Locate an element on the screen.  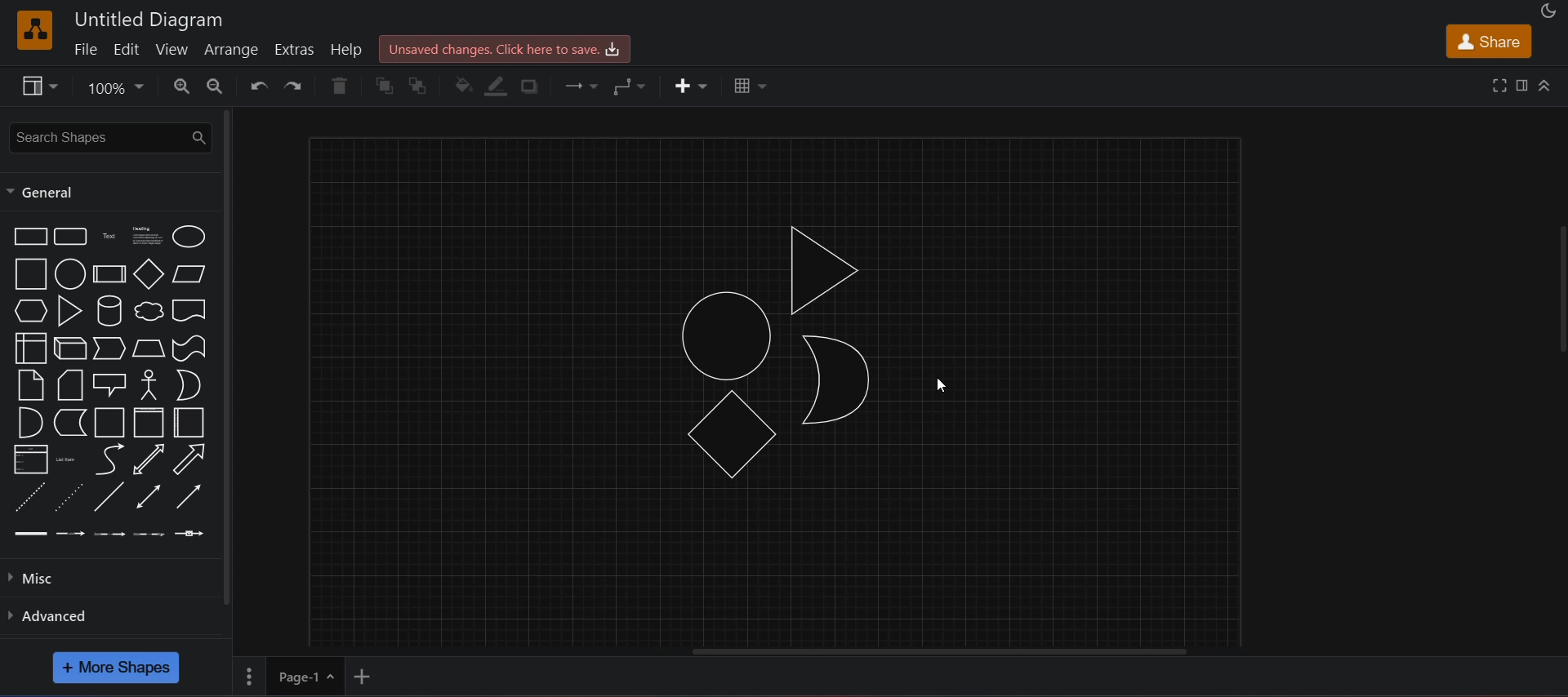
horizontal scroll bar is located at coordinates (938, 654).